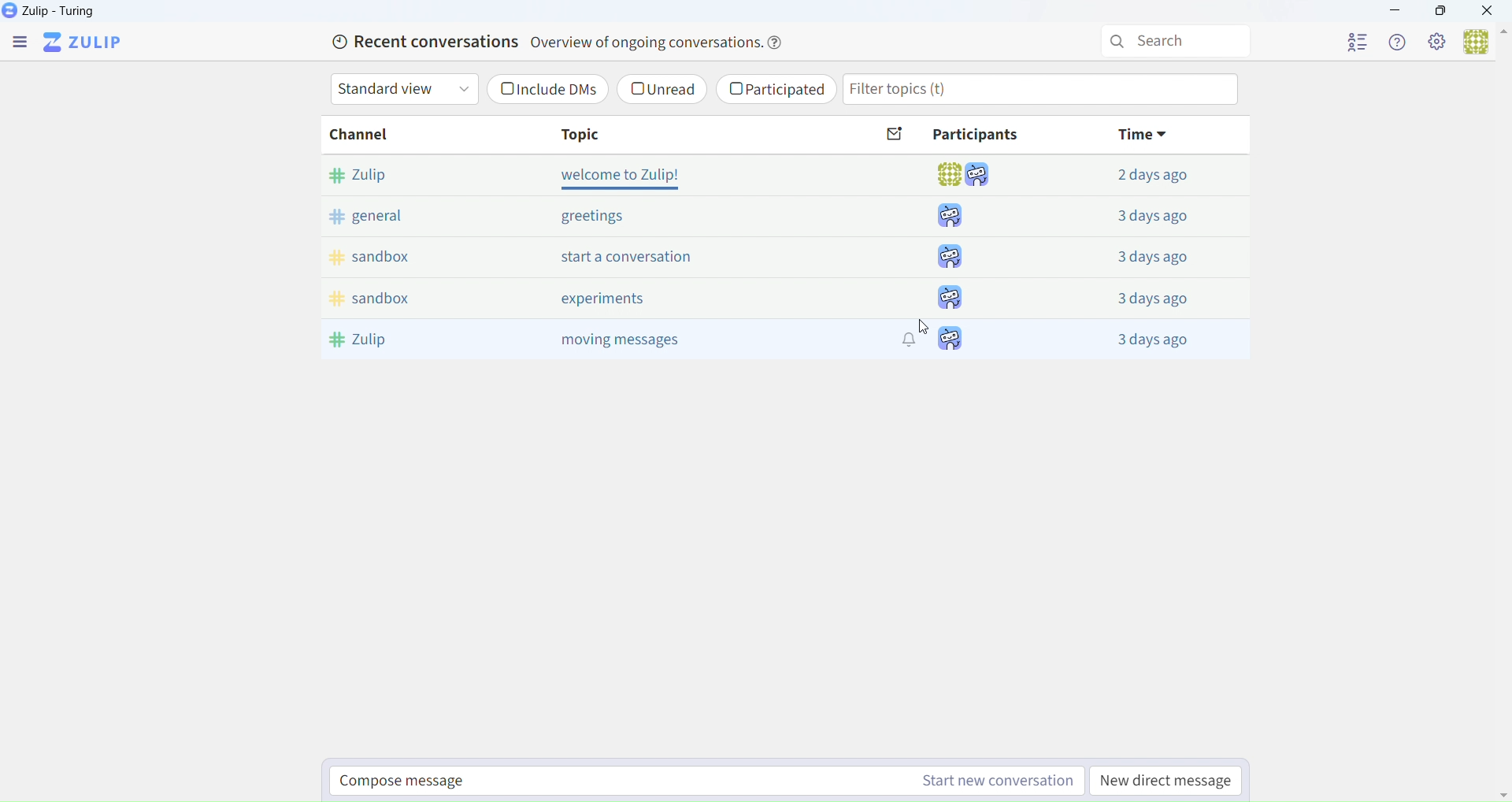  I want to click on start a conversation, so click(619, 255).